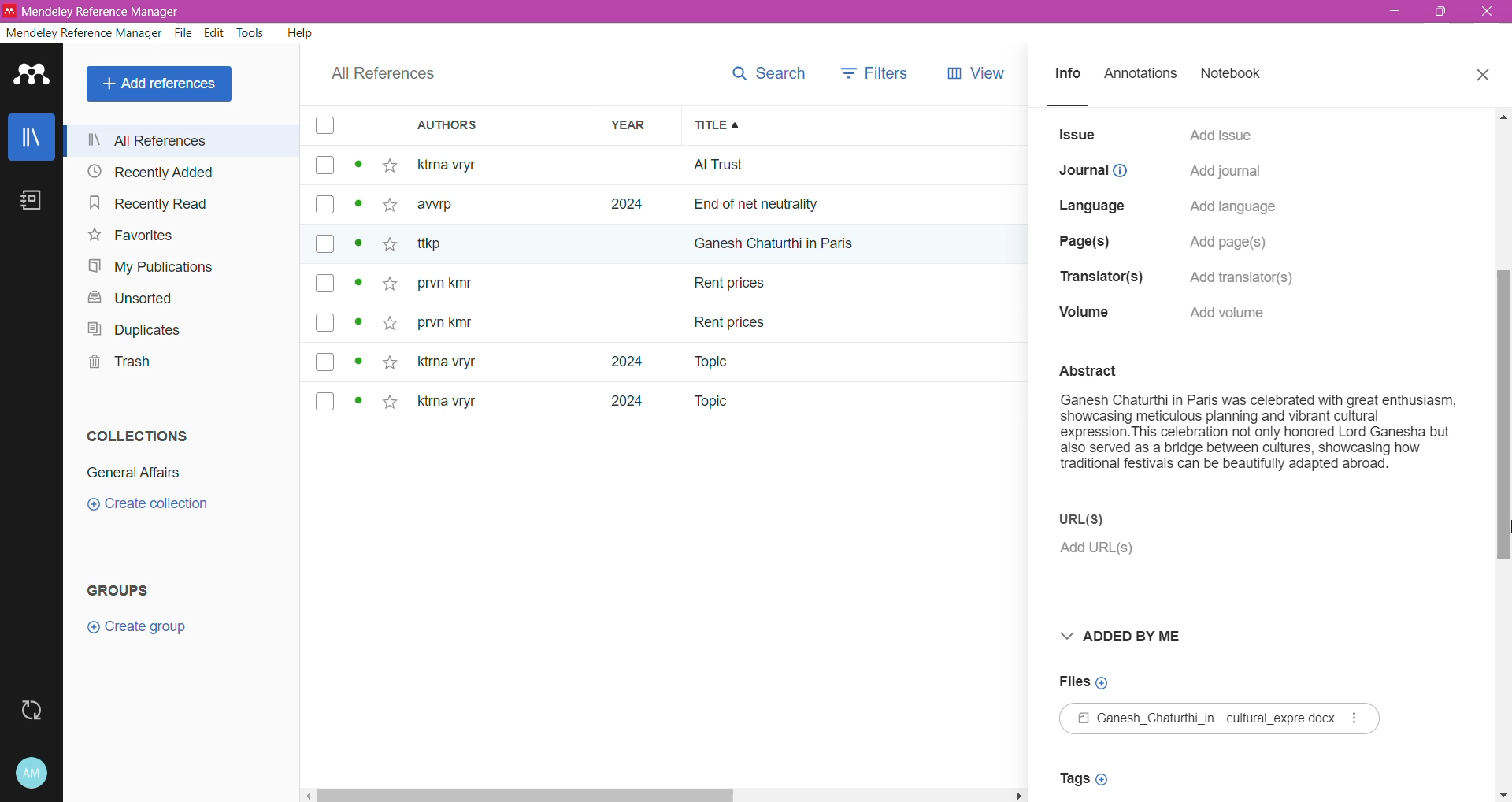 The image size is (1512, 802). What do you see at coordinates (134, 587) in the screenshot?
I see `Groups` at bounding box center [134, 587].